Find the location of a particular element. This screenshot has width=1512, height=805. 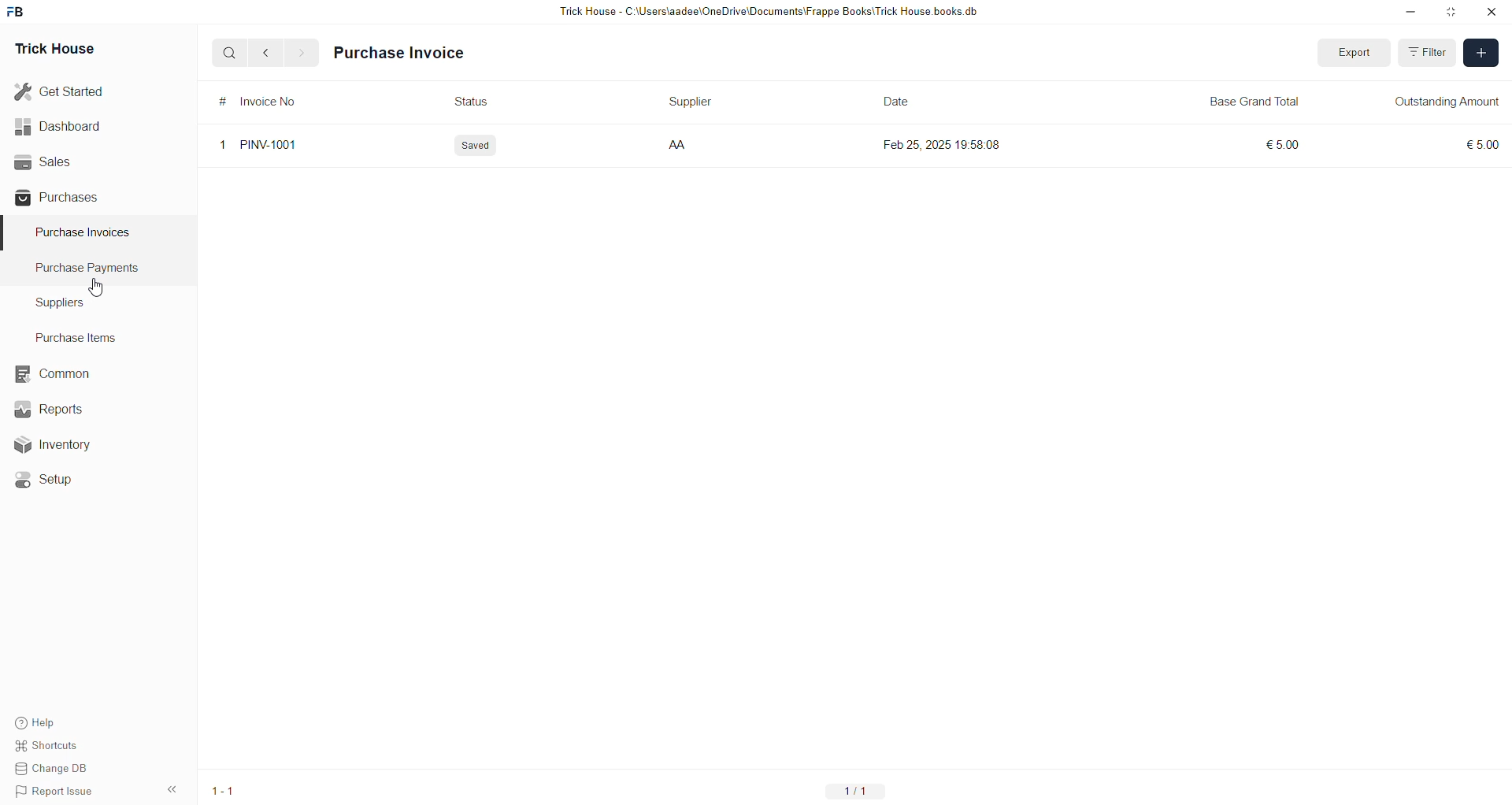

1/1 is located at coordinates (859, 785).